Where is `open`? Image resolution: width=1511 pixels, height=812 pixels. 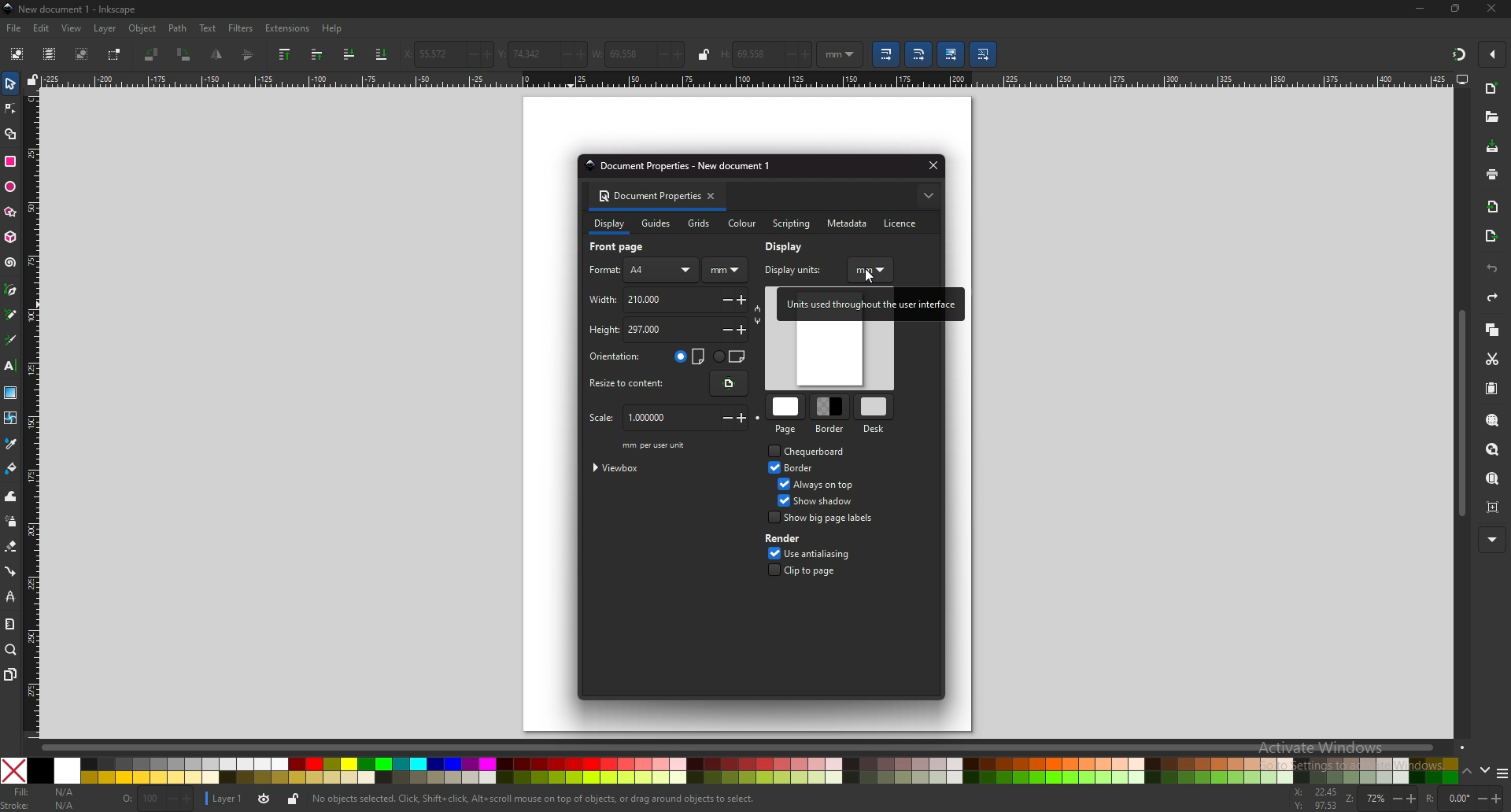 open is located at coordinates (1492, 116).